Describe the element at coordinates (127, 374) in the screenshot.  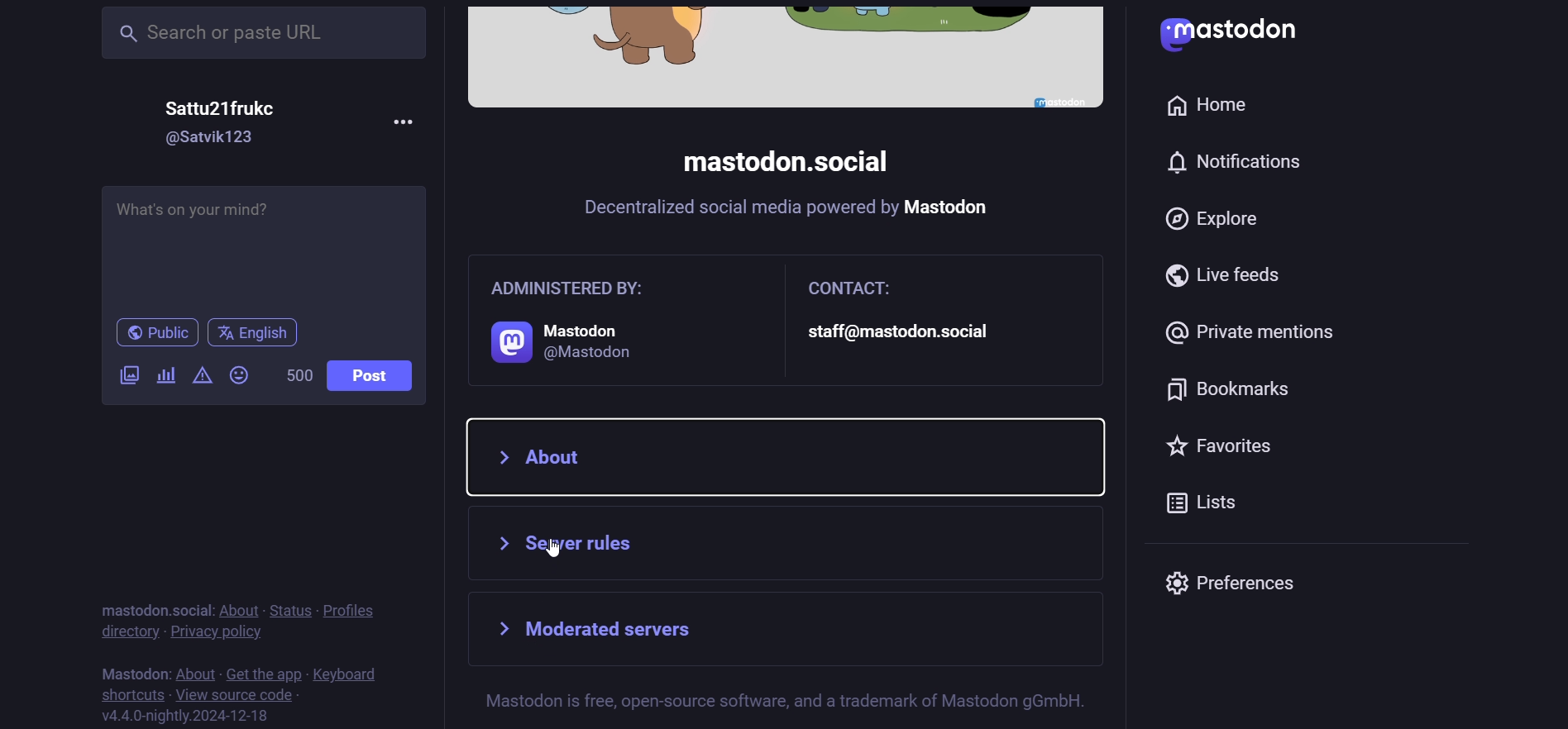
I see `image/video` at that location.